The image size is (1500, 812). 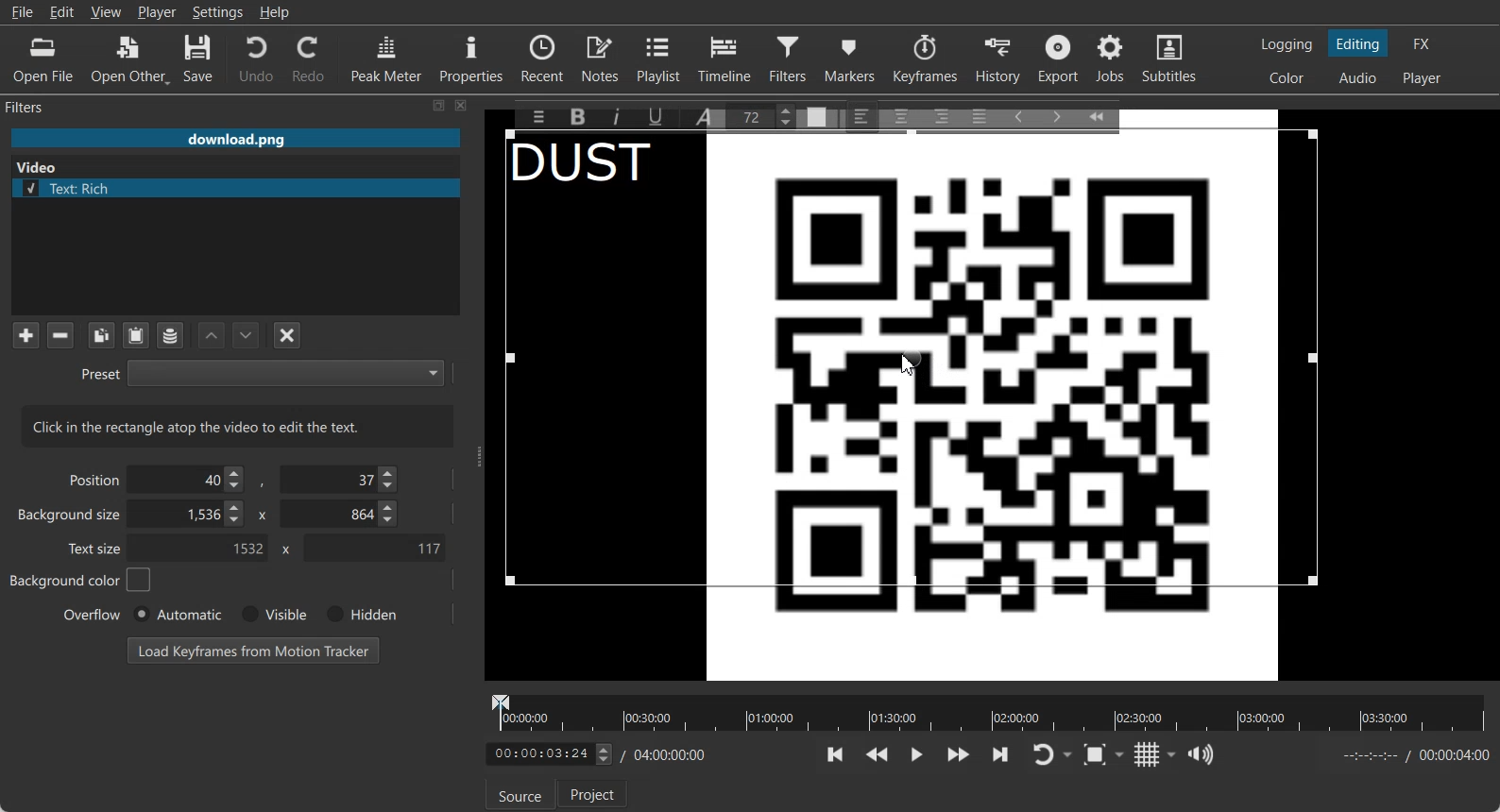 What do you see at coordinates (1287, 44) in the screenshot?
I see `Switching to the logging layout` at bounding box center [1287, 44].